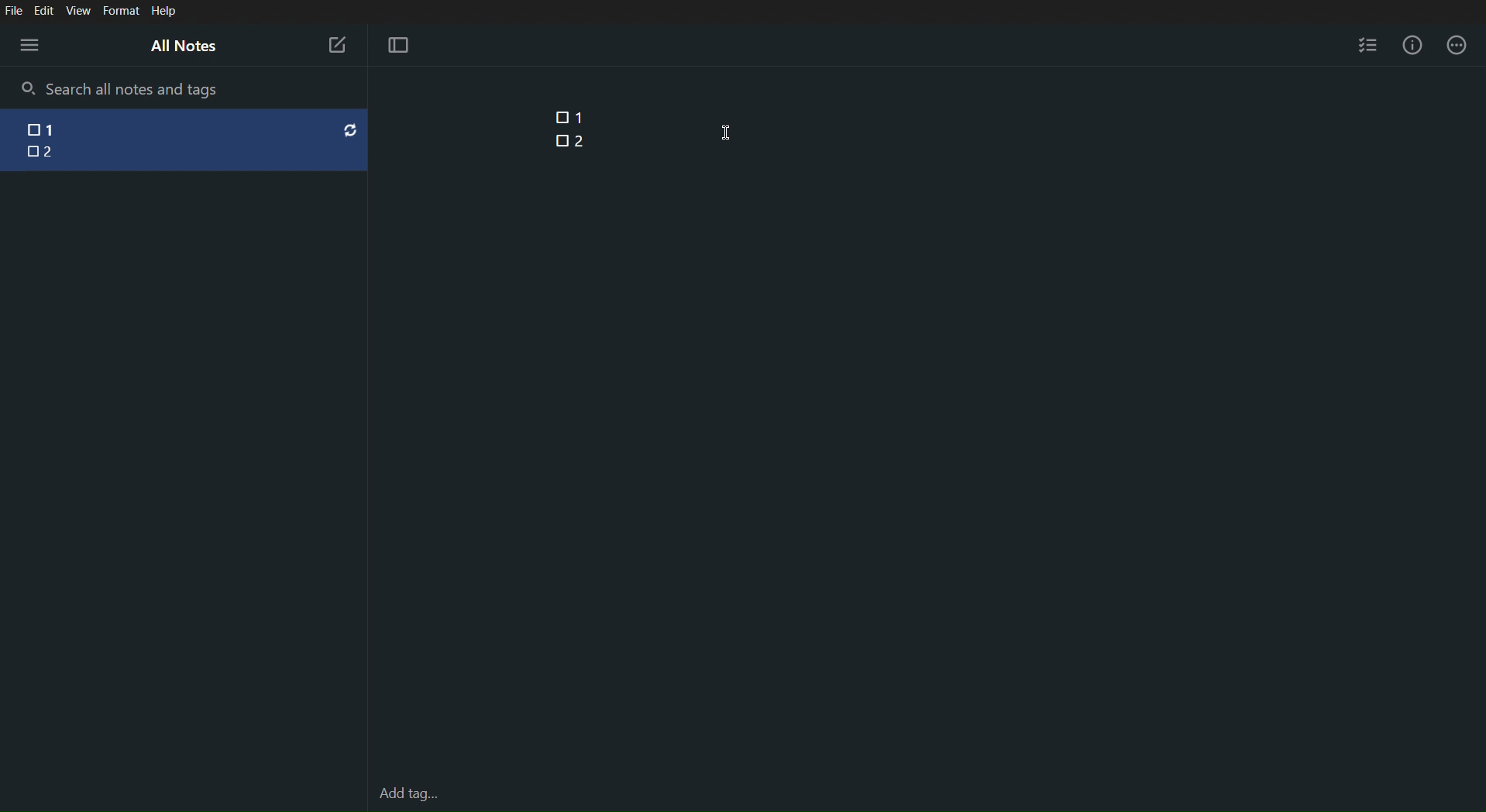 The width and height of the screenshot is (1486, 812). Describe the element at coordinates (26, 131) in the screenshot. I see `checkbox` at that location.